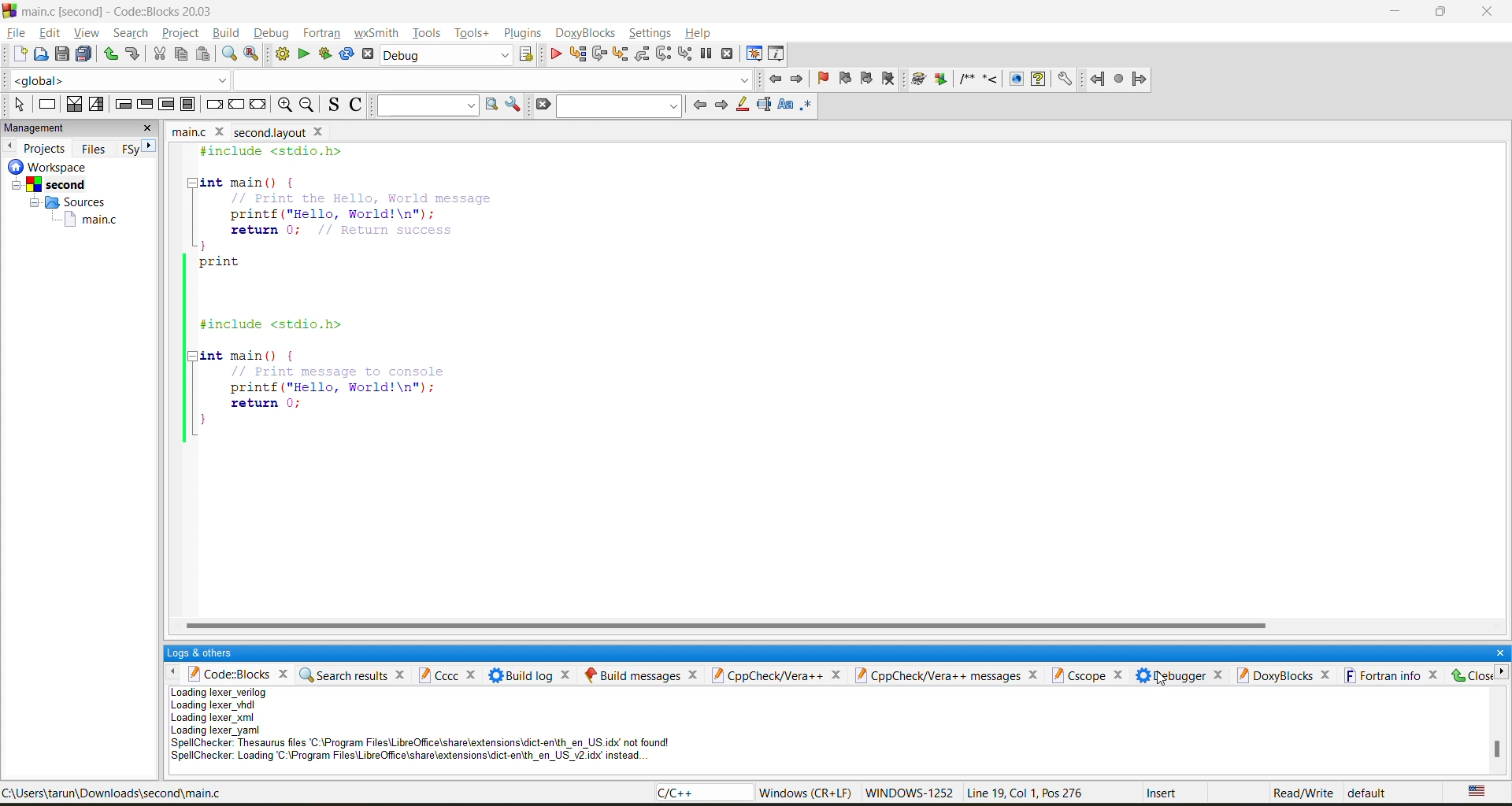  Describe the element at coordinates (239, 104) in the screenshot. I see `continue instruction` at that location.